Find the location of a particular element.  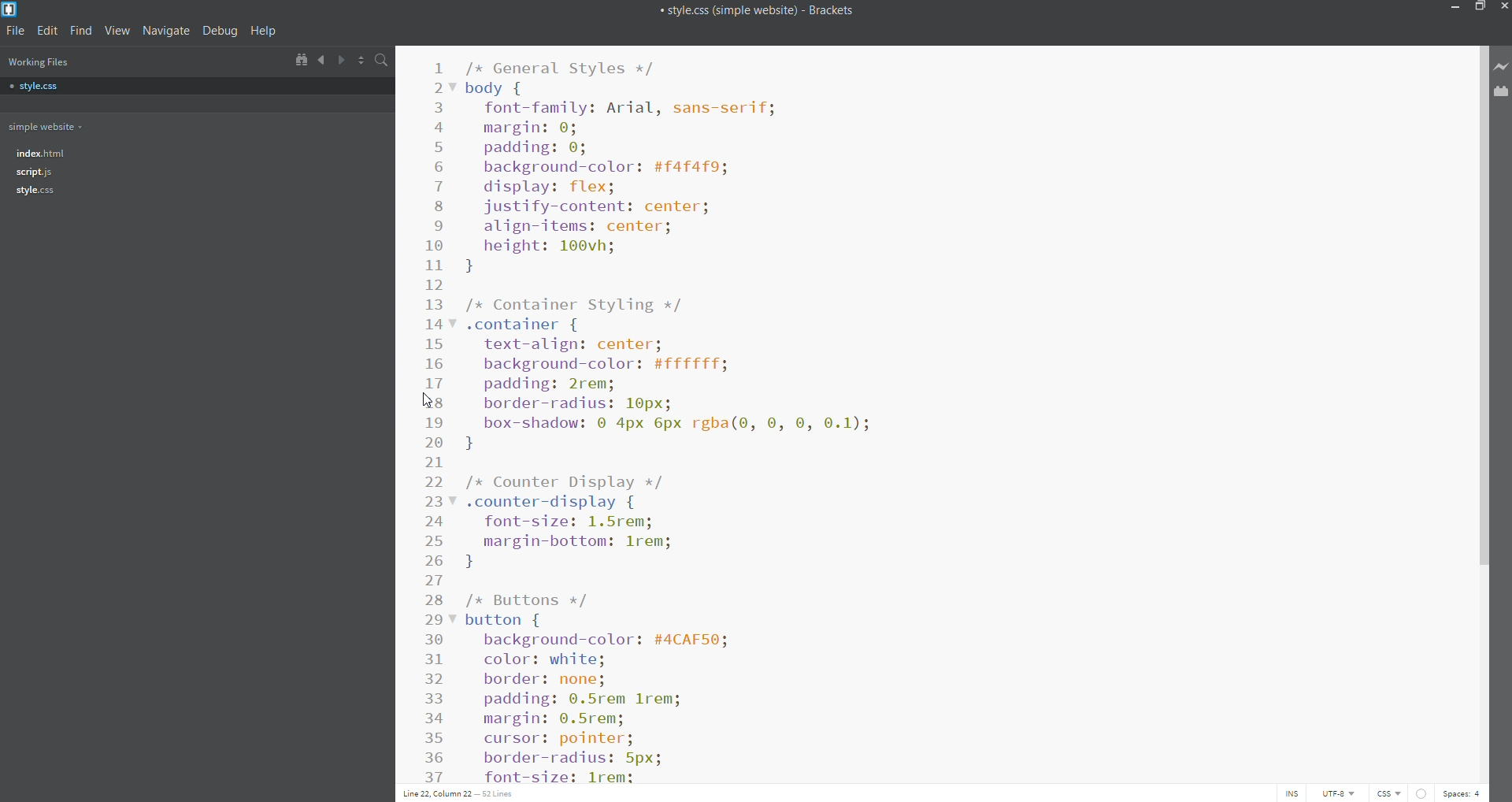

navigate forward is located at coordinates (341, 61).